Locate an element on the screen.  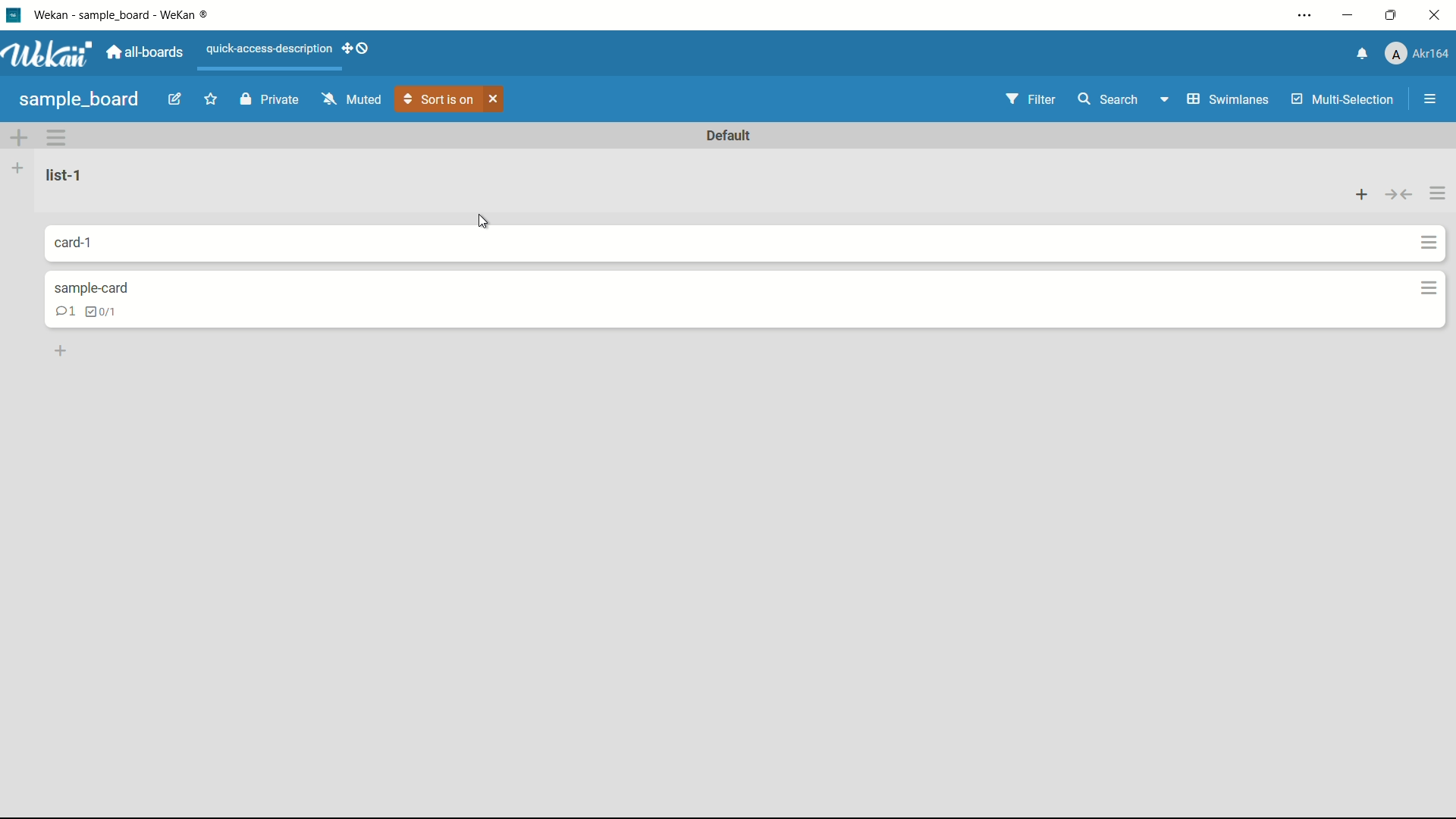
default is located at coordinates (733, 133).